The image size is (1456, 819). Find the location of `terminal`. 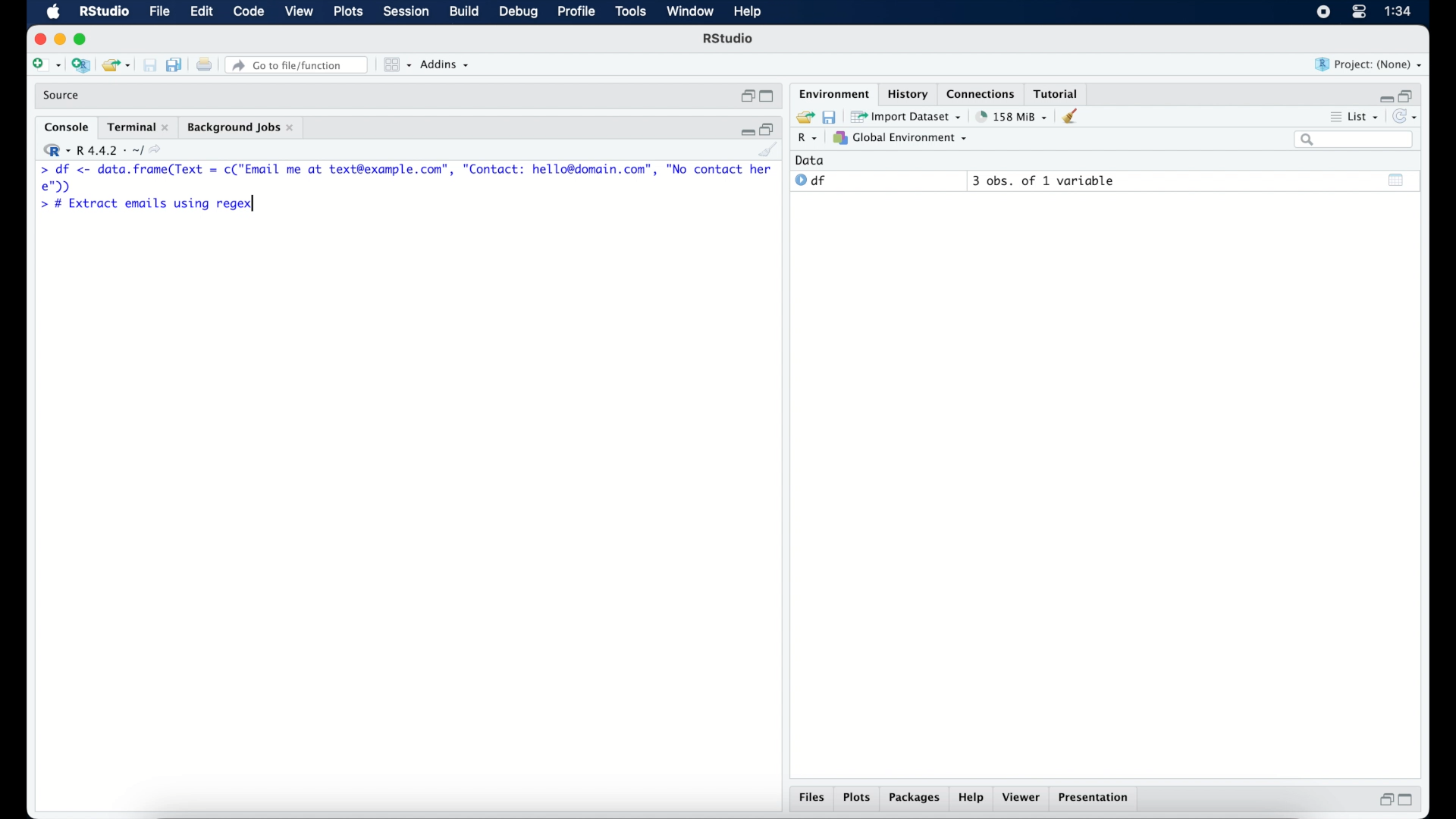

terminal is located at coordinates (137, 127).